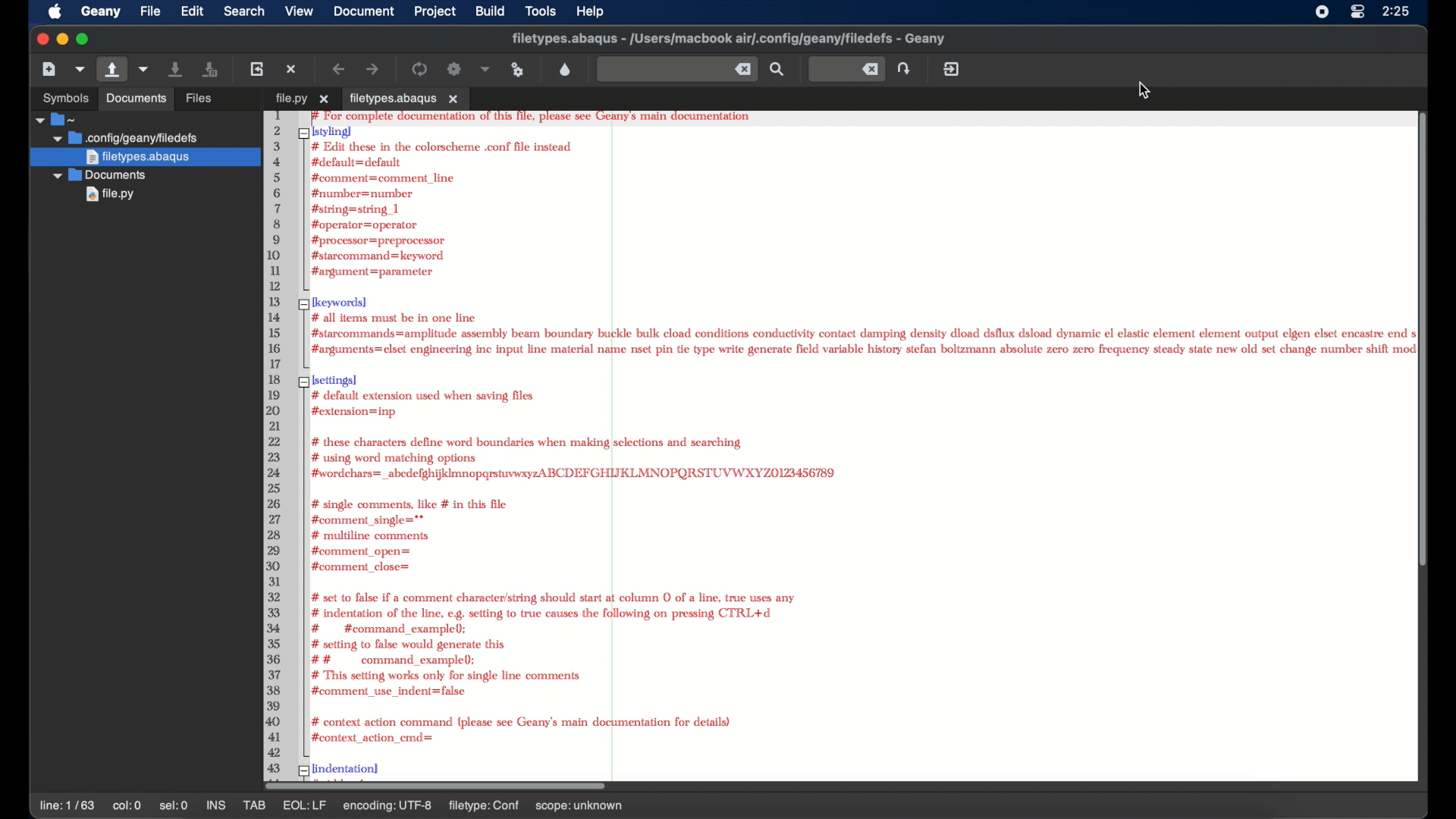  Describe the element at coordinates (1357, 11) in the screenshot. I see `control center` at that location.